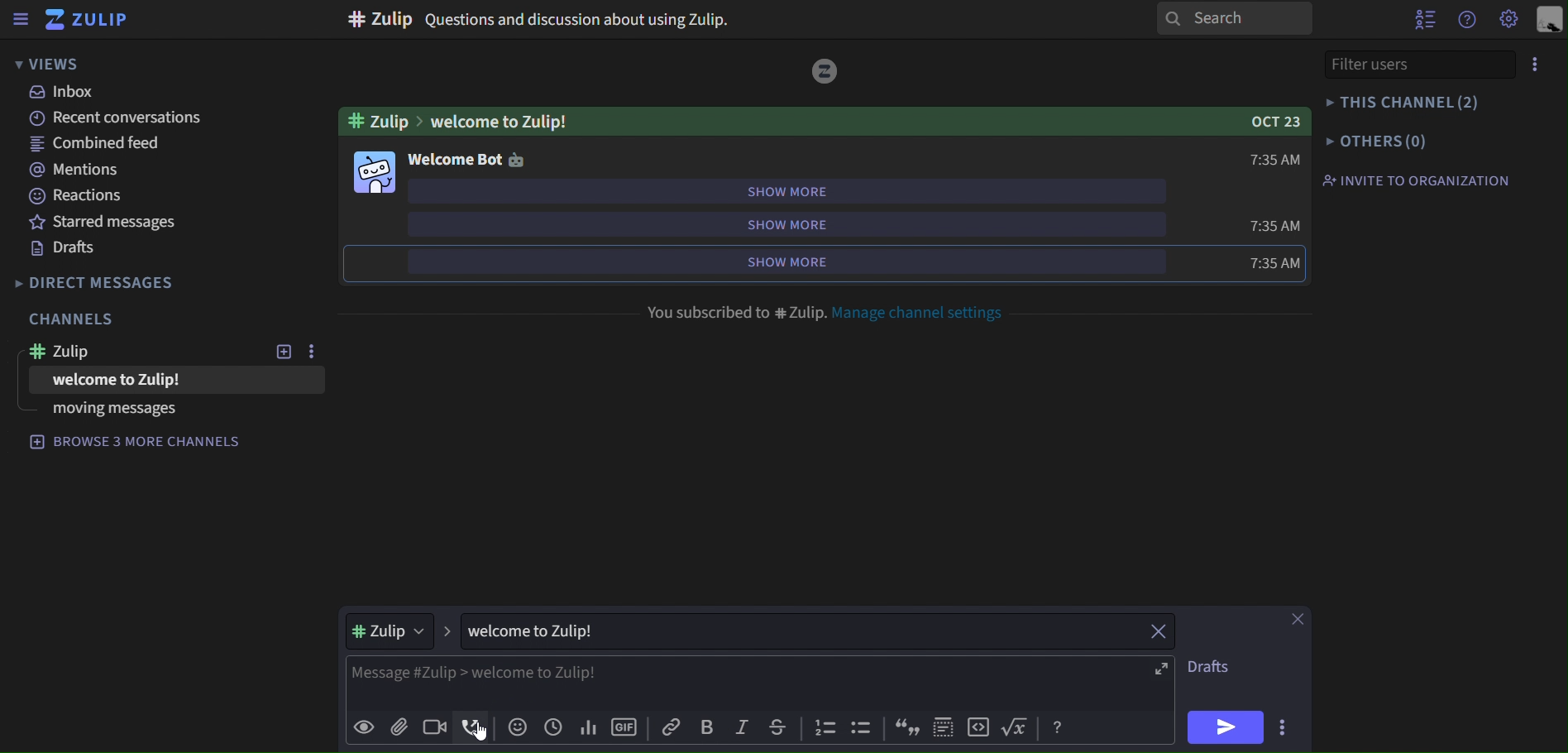 The image size is (1568, 753). What do you see at coordinates (814, 224) in the screenshot?
I see `show more` at bounding box center [814, 224].